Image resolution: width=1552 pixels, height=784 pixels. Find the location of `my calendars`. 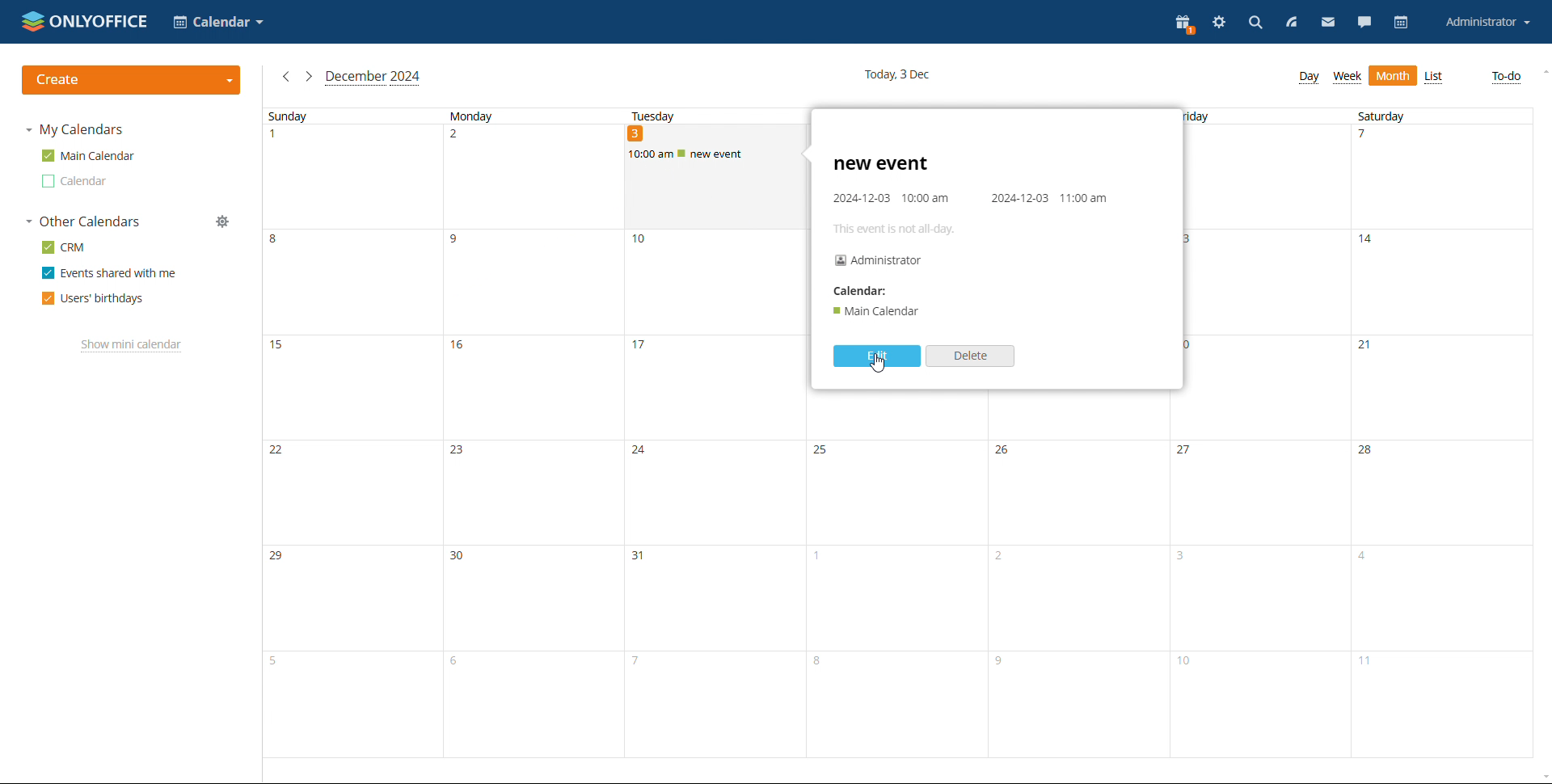

my calendars is located at coordinates (77, 129).